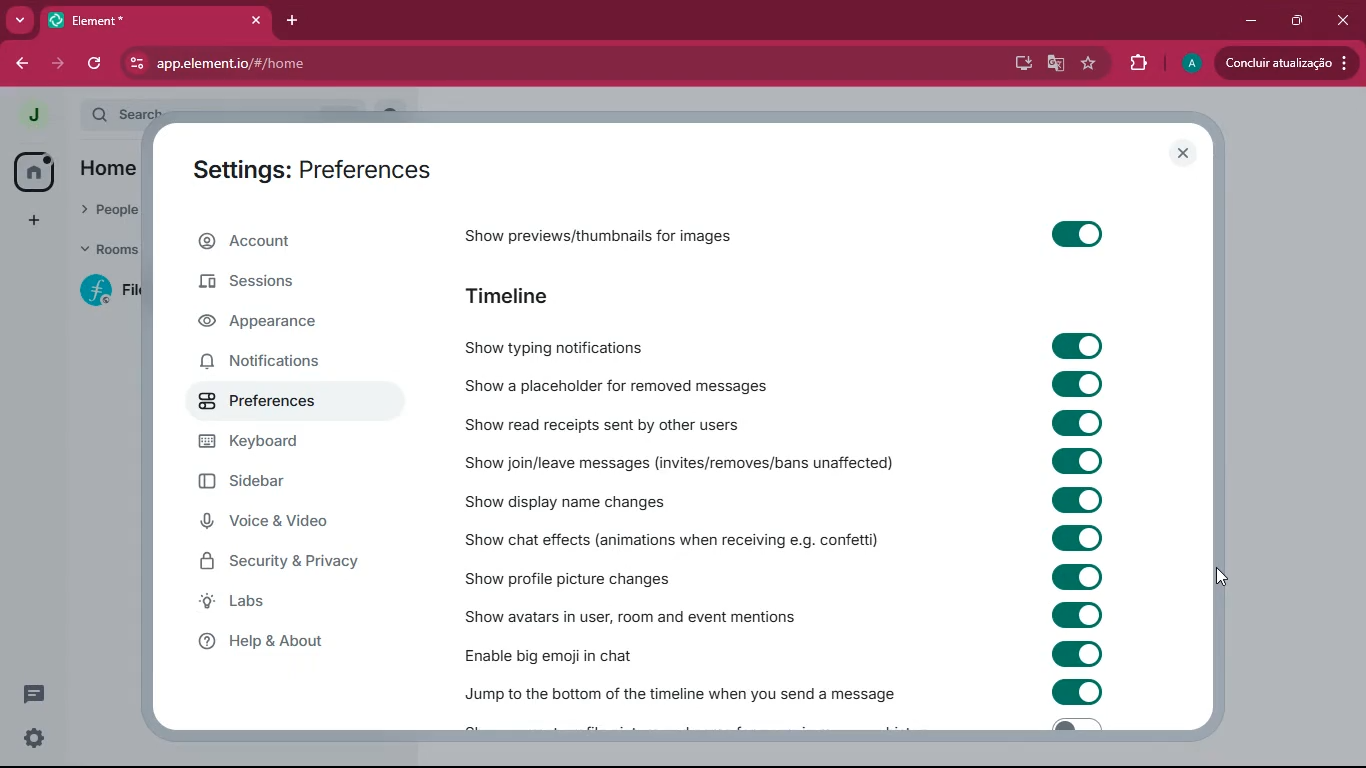 The image size is (1366, 768). I want to click on cursor, so click(1219, 576).